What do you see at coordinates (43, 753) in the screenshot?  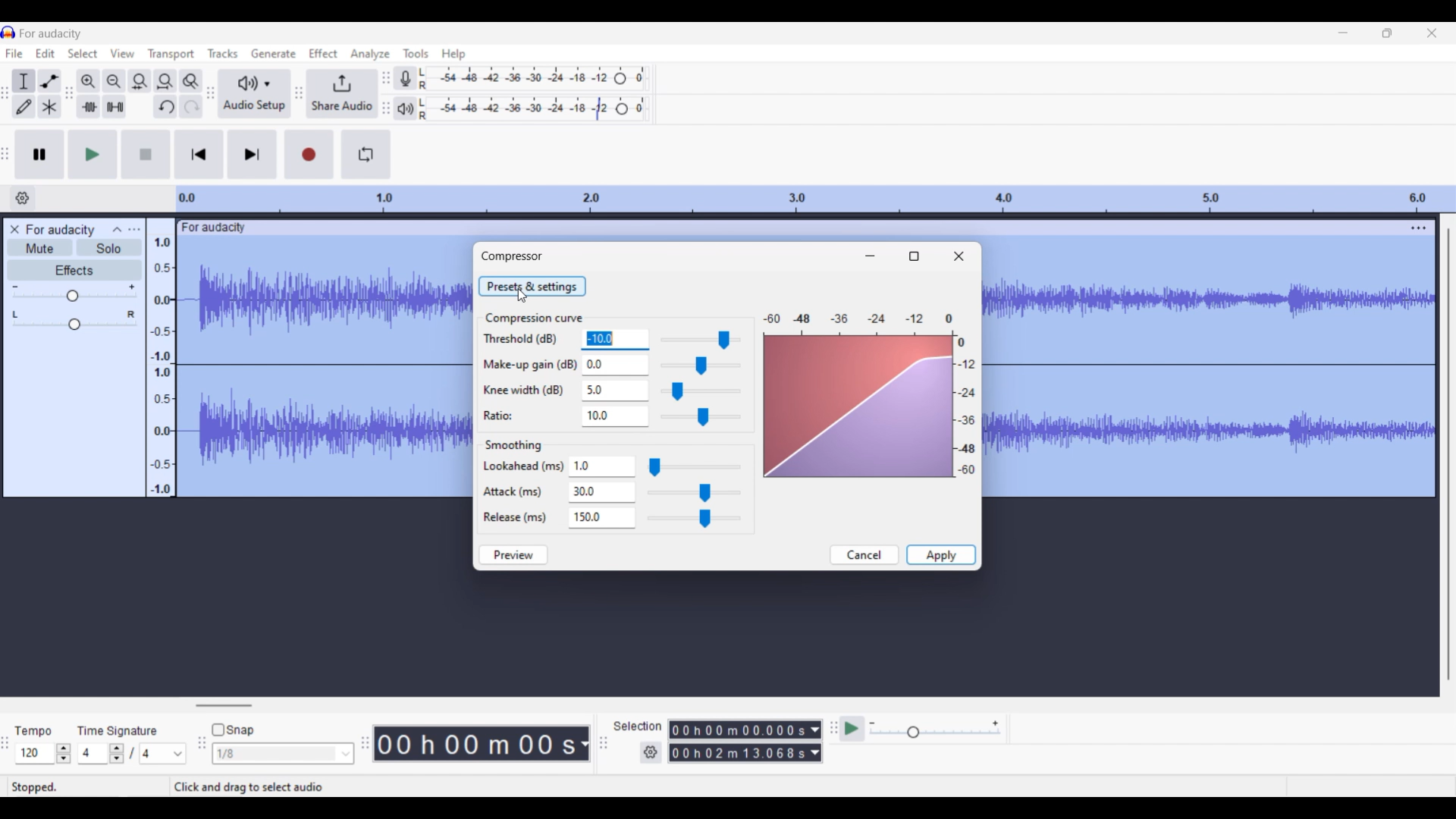 I see `Tempo settings` at bounding box center [43, 753].